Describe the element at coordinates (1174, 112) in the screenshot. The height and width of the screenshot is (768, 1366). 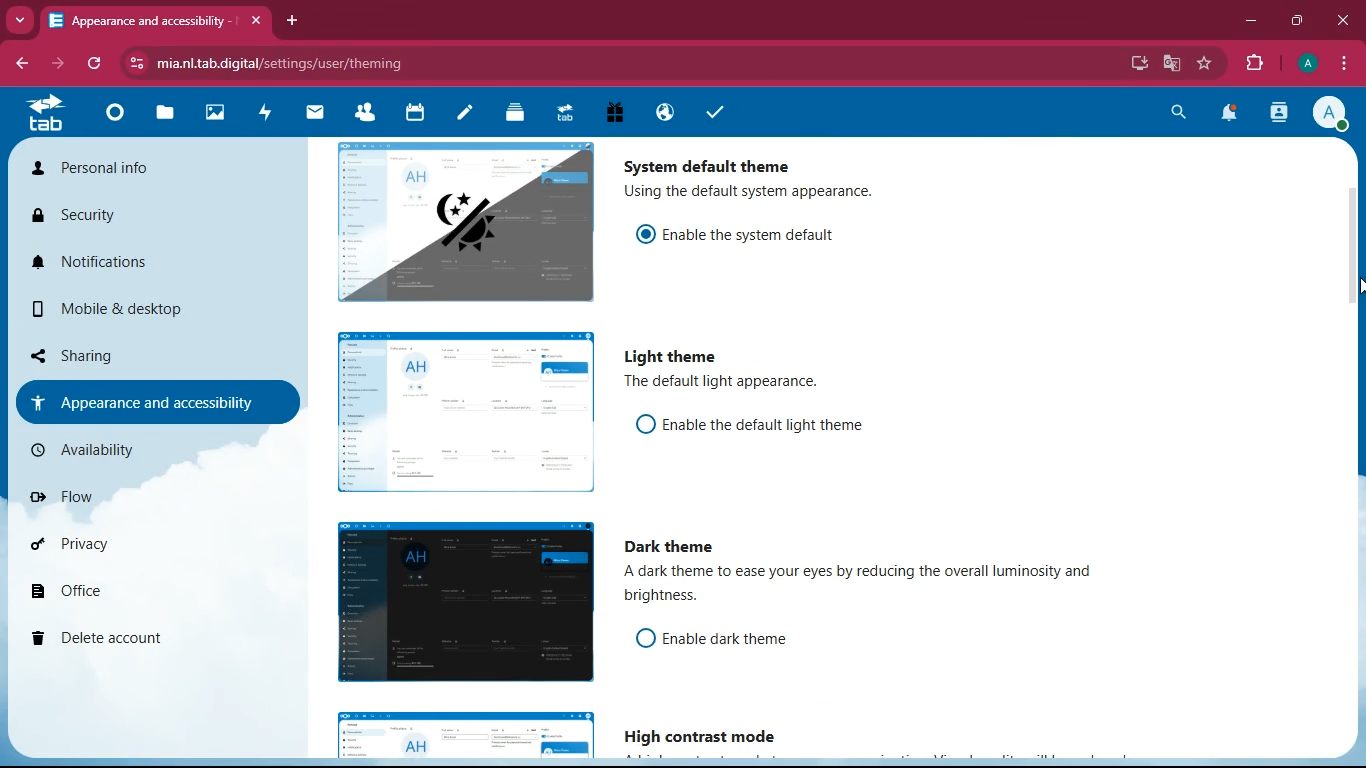
I see `search` at that location.